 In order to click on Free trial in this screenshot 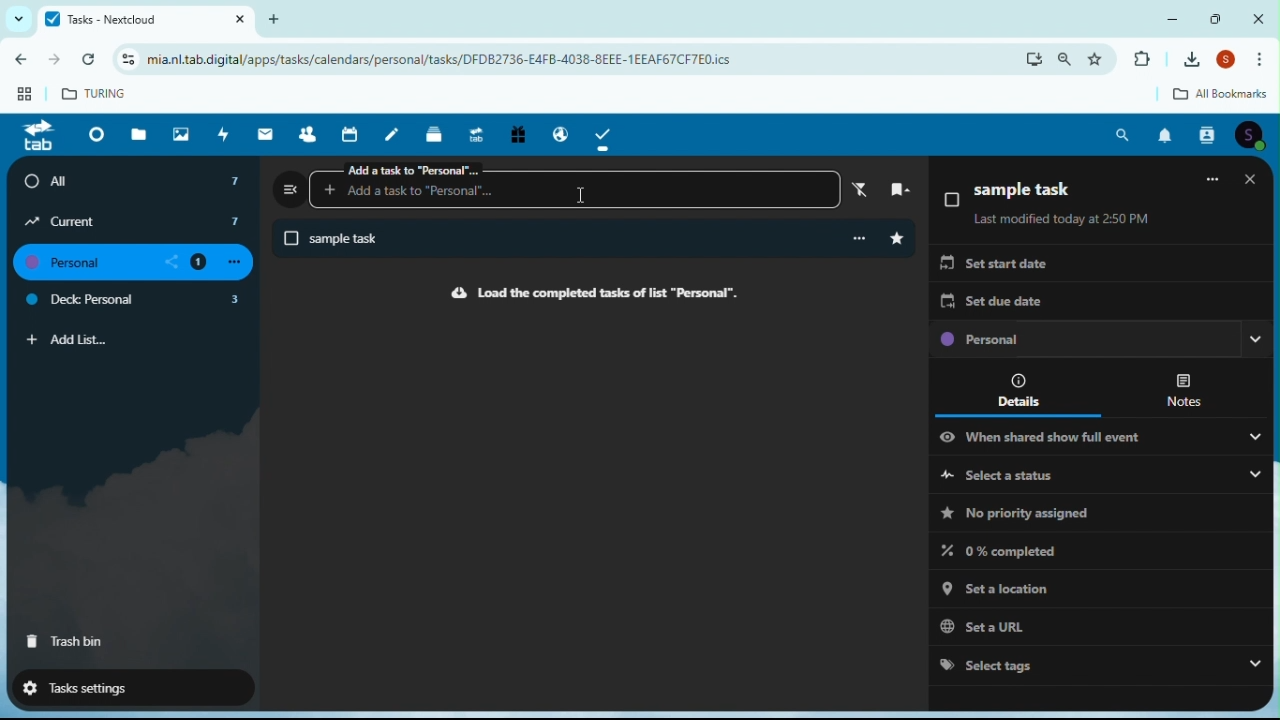, I will do `click(516, 136)`.